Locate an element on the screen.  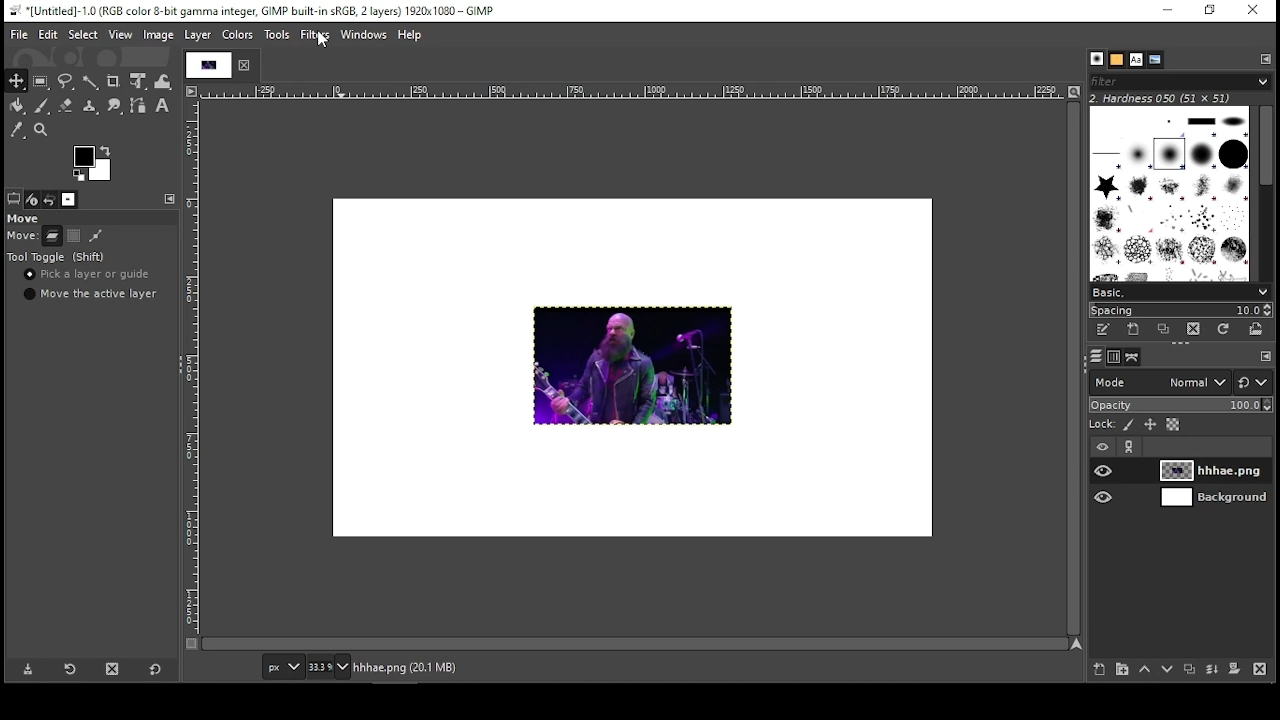
close window is located at coordinates (1254, 10).